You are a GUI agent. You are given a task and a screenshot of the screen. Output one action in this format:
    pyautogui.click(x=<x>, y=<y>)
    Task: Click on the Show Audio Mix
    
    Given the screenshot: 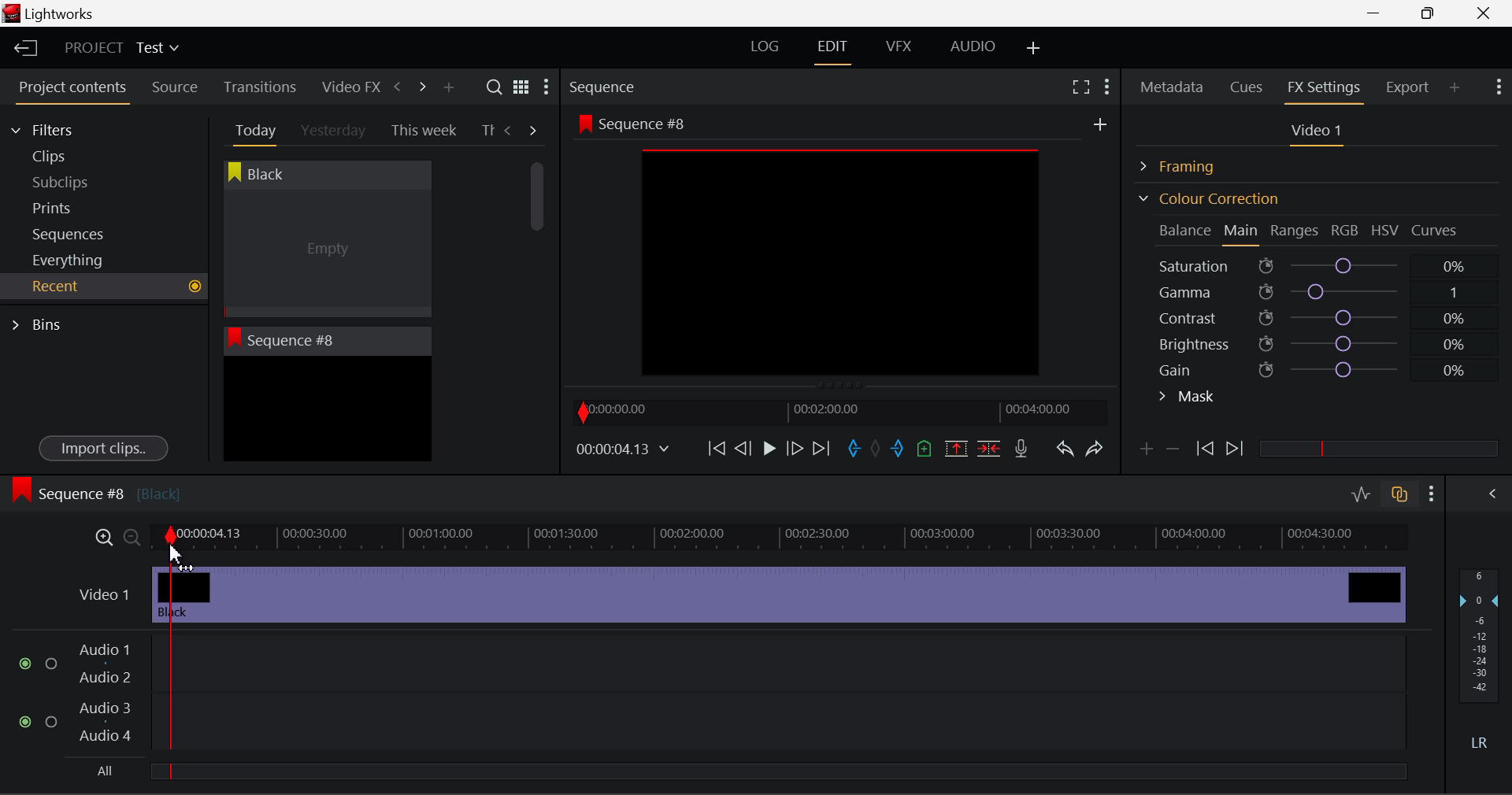 What is the action you would take?
    pyautogui.click(x=1494, y=492)
    